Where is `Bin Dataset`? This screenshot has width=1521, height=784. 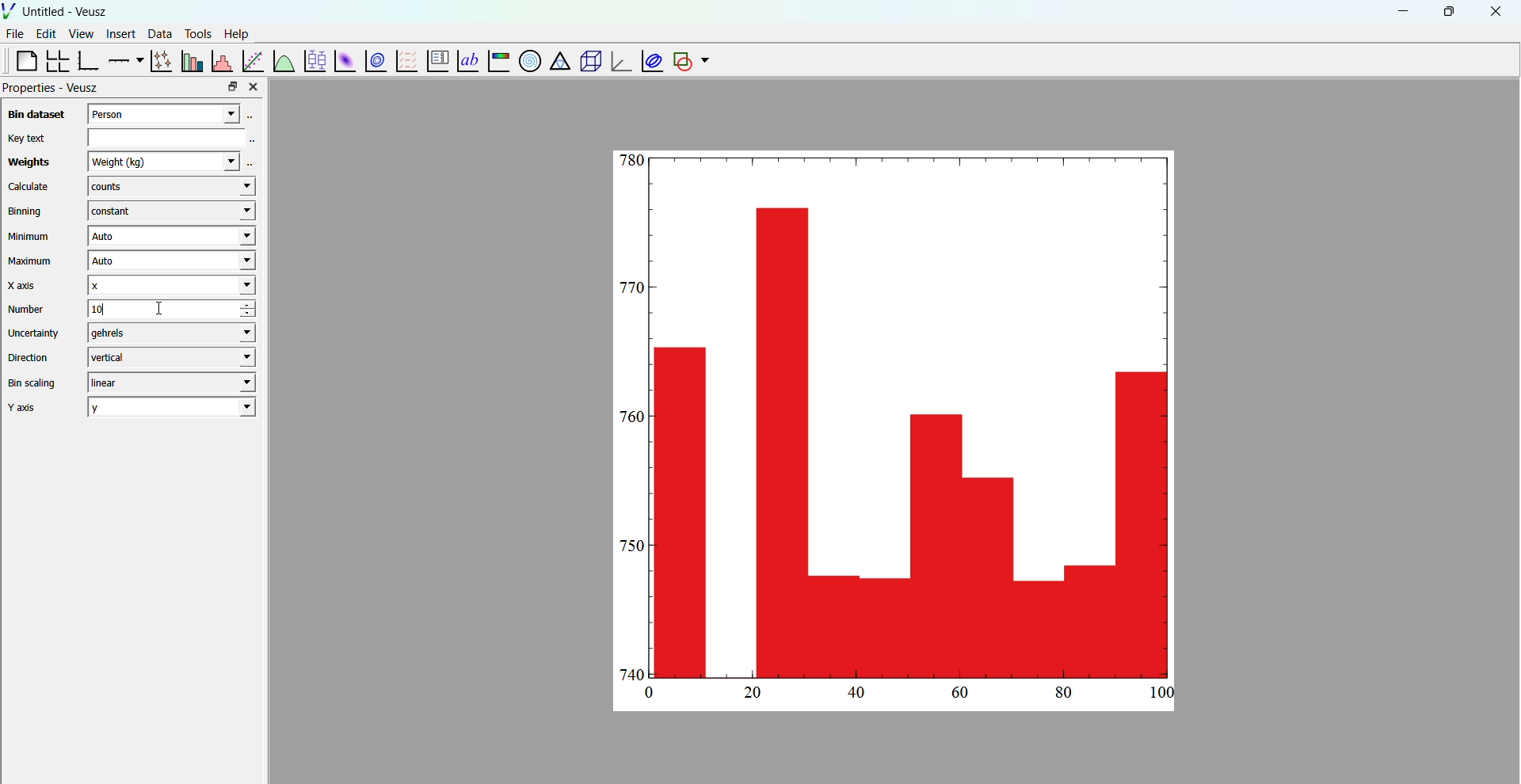 Bin Dataset is located at coordinates (34, 114).